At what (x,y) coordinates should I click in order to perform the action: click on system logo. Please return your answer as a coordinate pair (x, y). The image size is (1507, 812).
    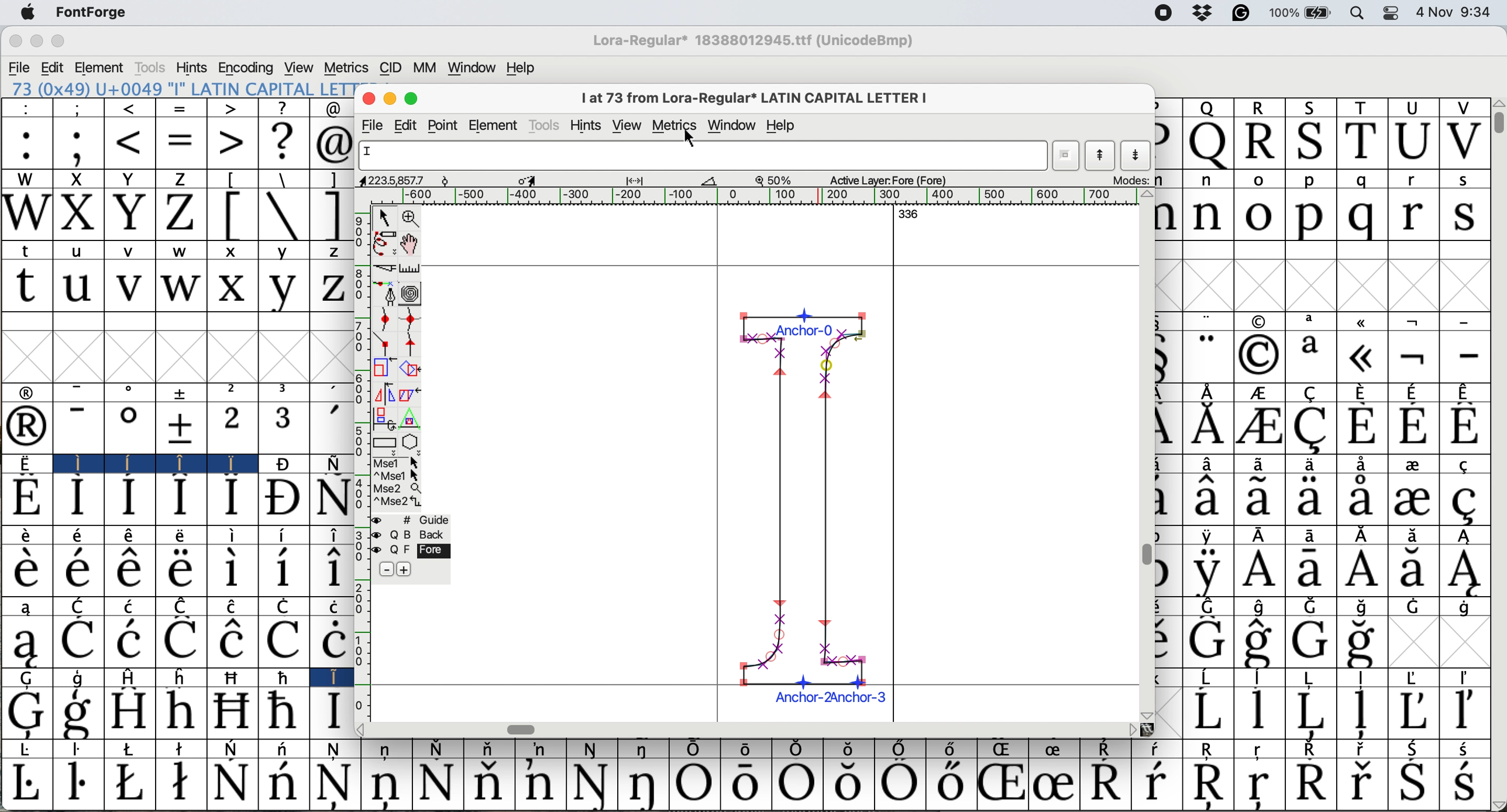
    Looking at the image, I should click on (26, 12).